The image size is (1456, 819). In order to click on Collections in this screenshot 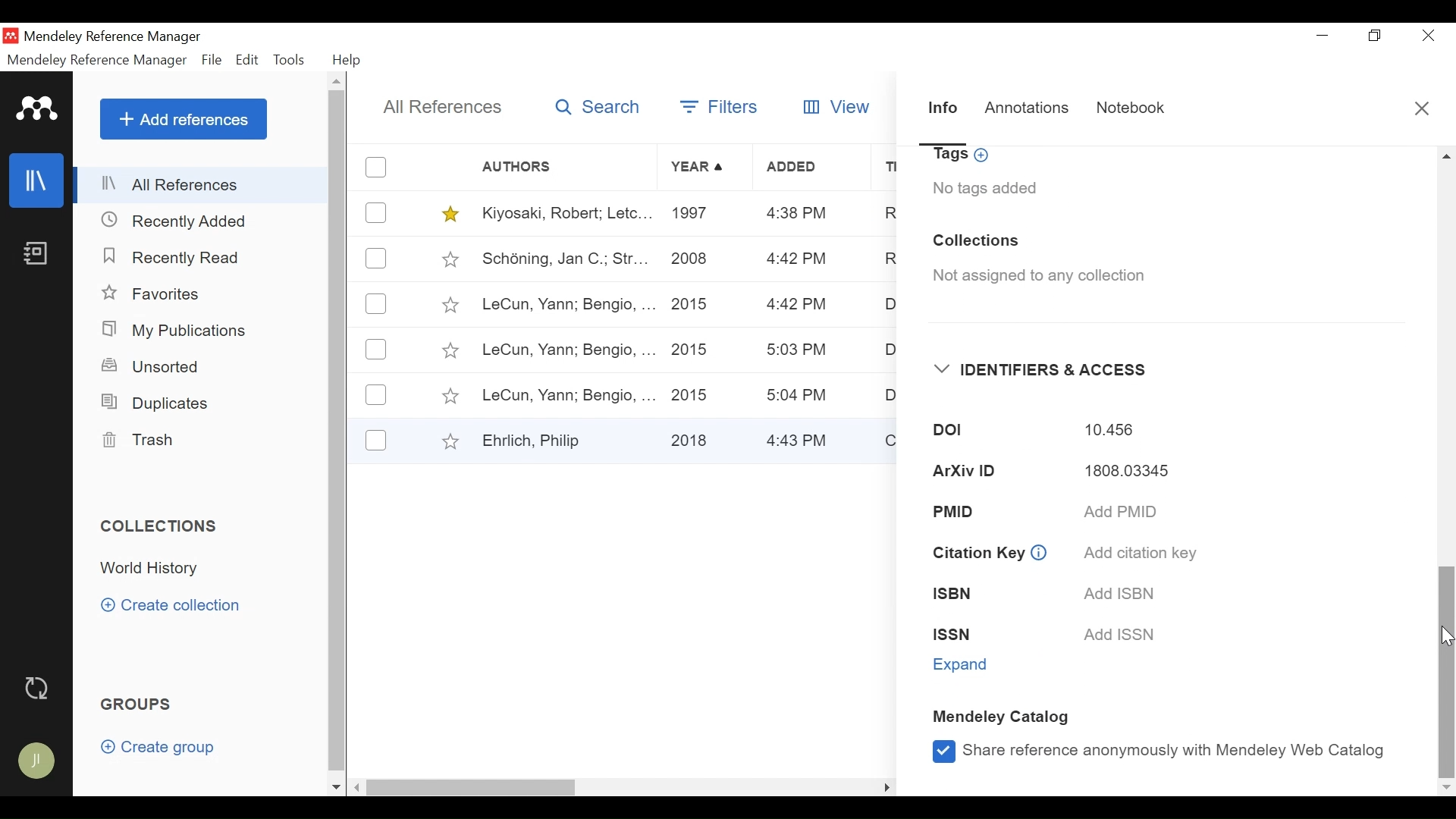, I will do `click(161, 527)`.